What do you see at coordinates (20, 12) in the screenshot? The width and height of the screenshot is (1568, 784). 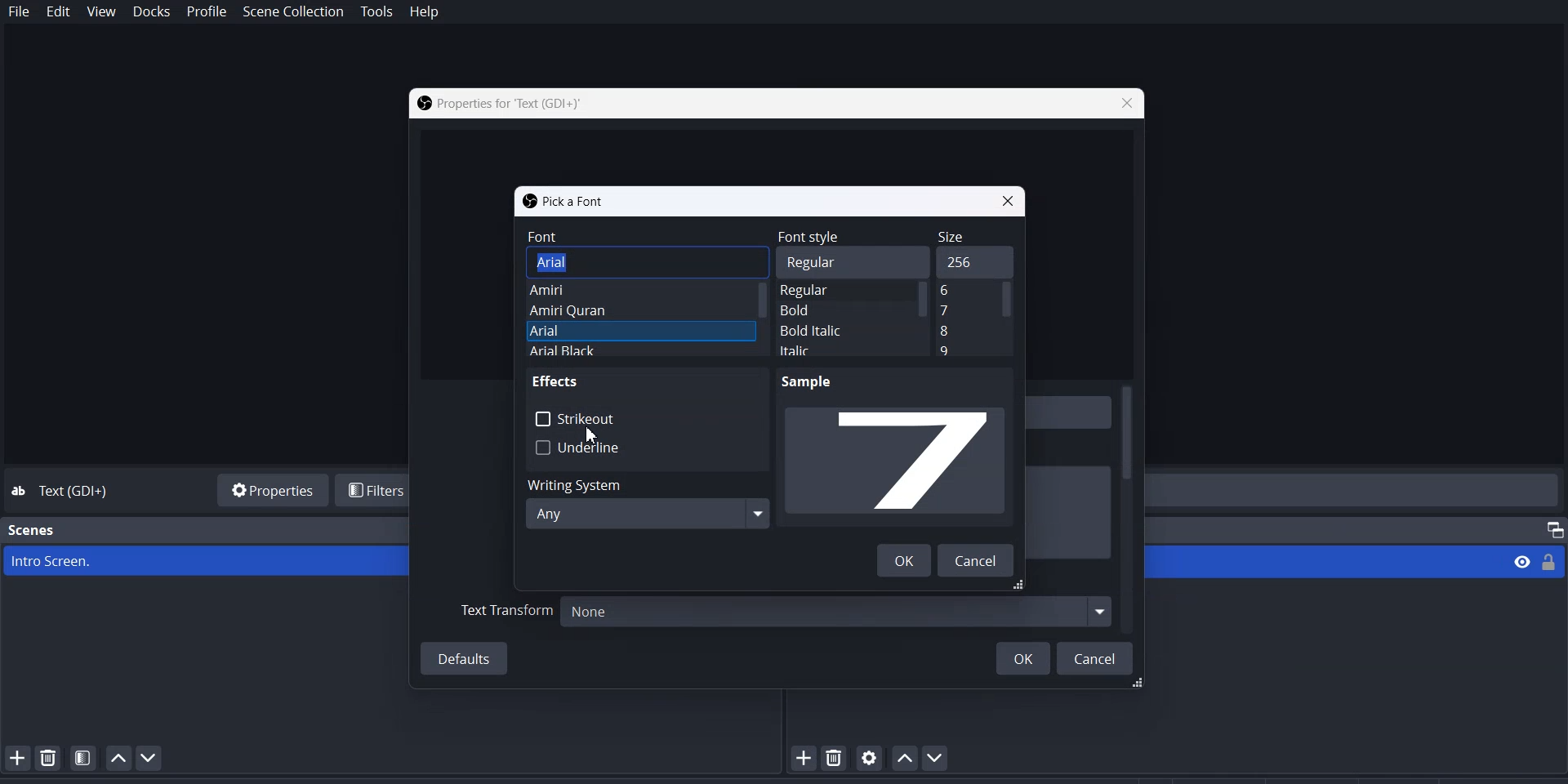 I see `File` at bounding box center [20, 12].